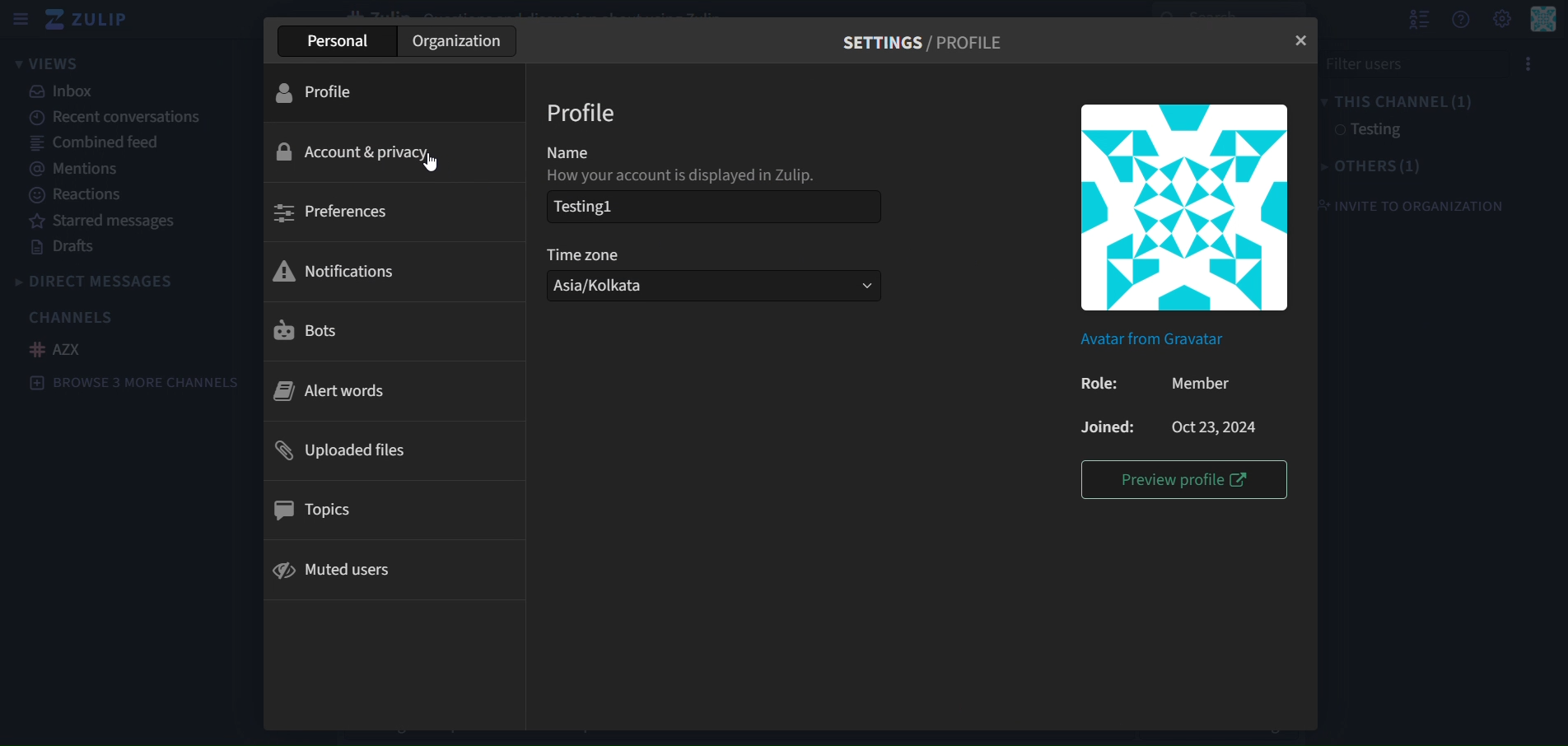  I want to click on personal, so click(336, 44).